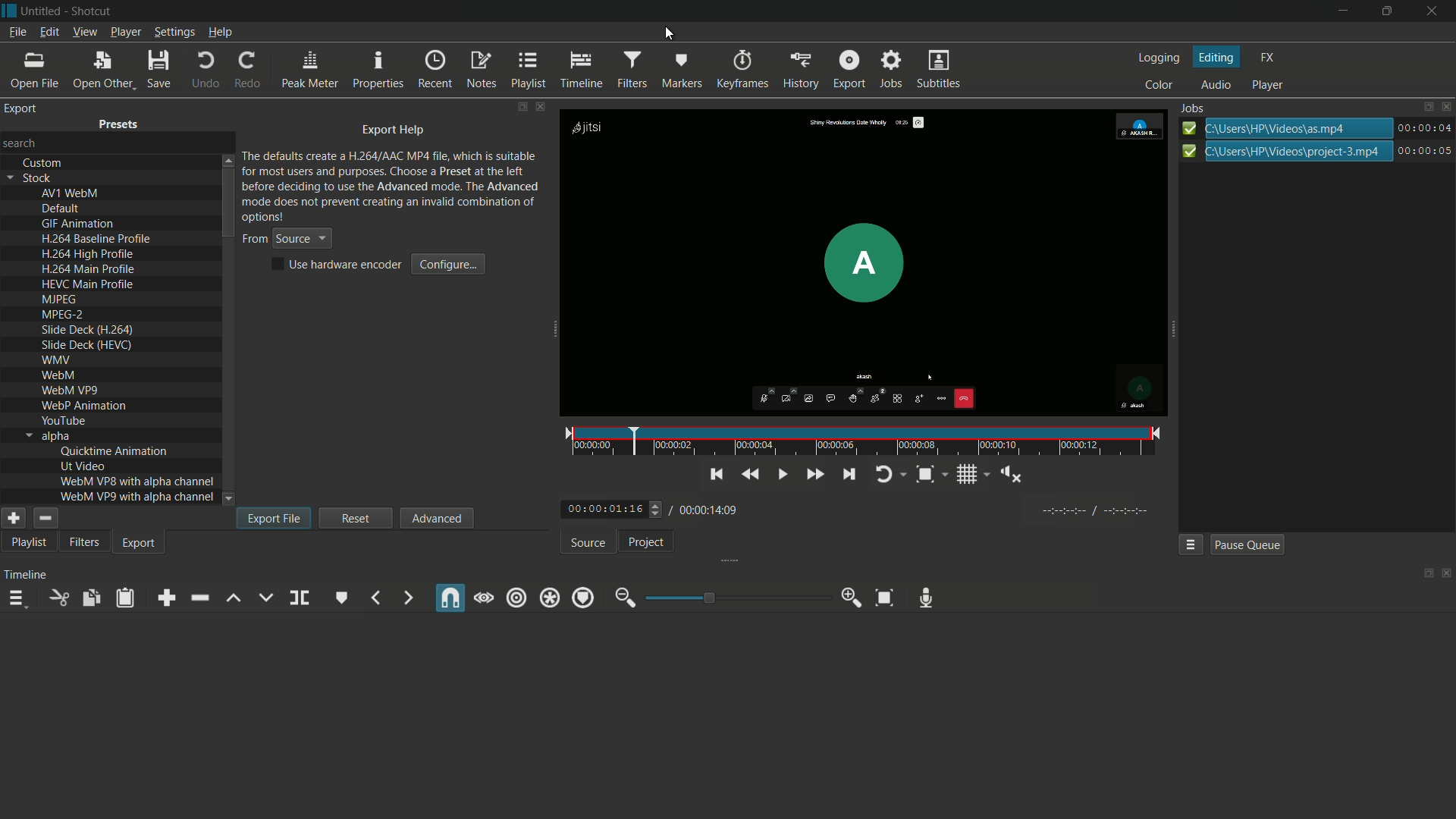 This screenshot has width=1456, height=819. I want to click on file menu, so click(17, 32).